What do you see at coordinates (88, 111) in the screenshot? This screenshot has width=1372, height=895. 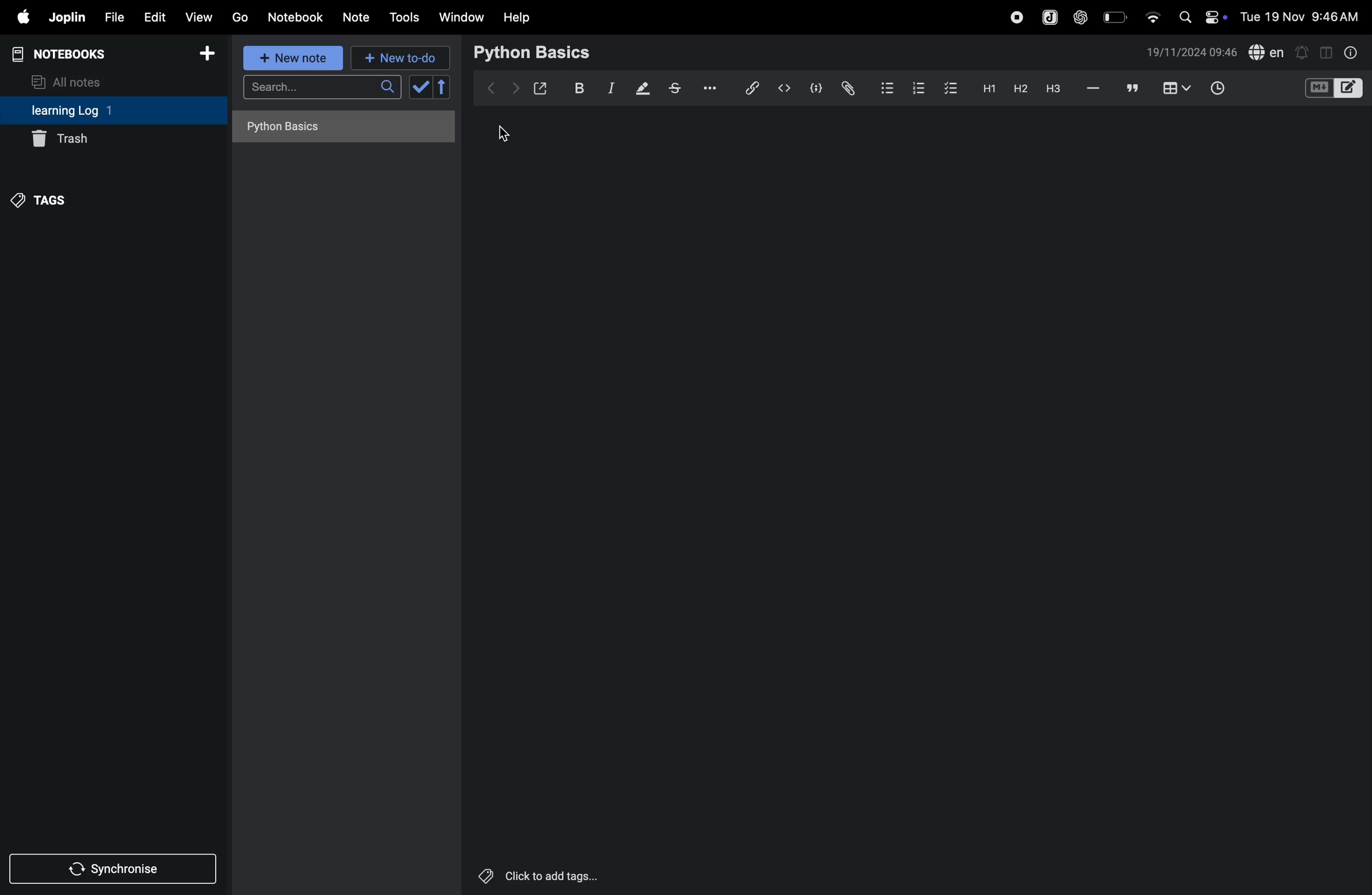 I see `learning log` at bounding box center [88, 111].